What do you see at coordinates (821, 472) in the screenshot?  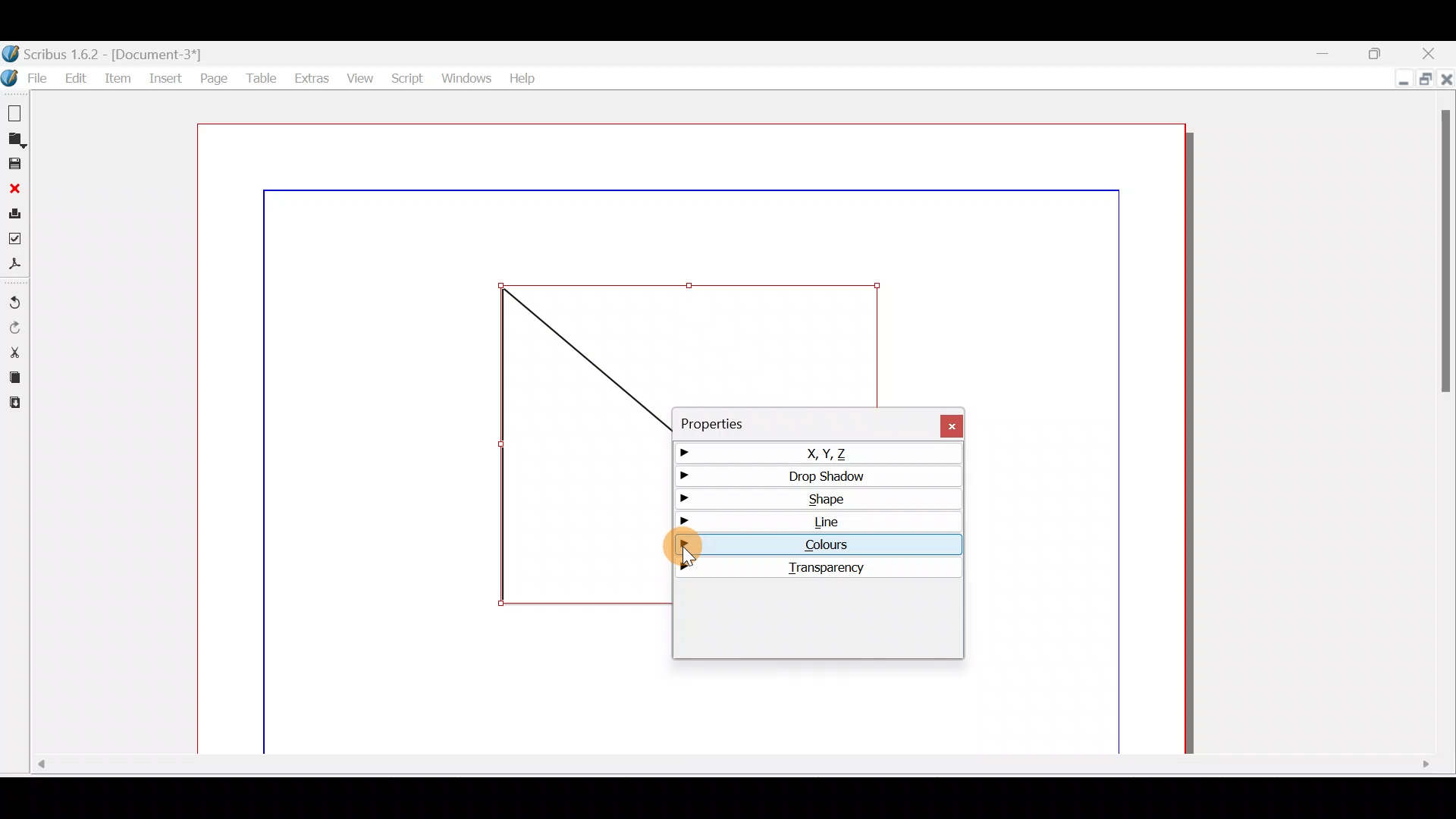 I see `Drop shadow` at bounding box center [821, 472].